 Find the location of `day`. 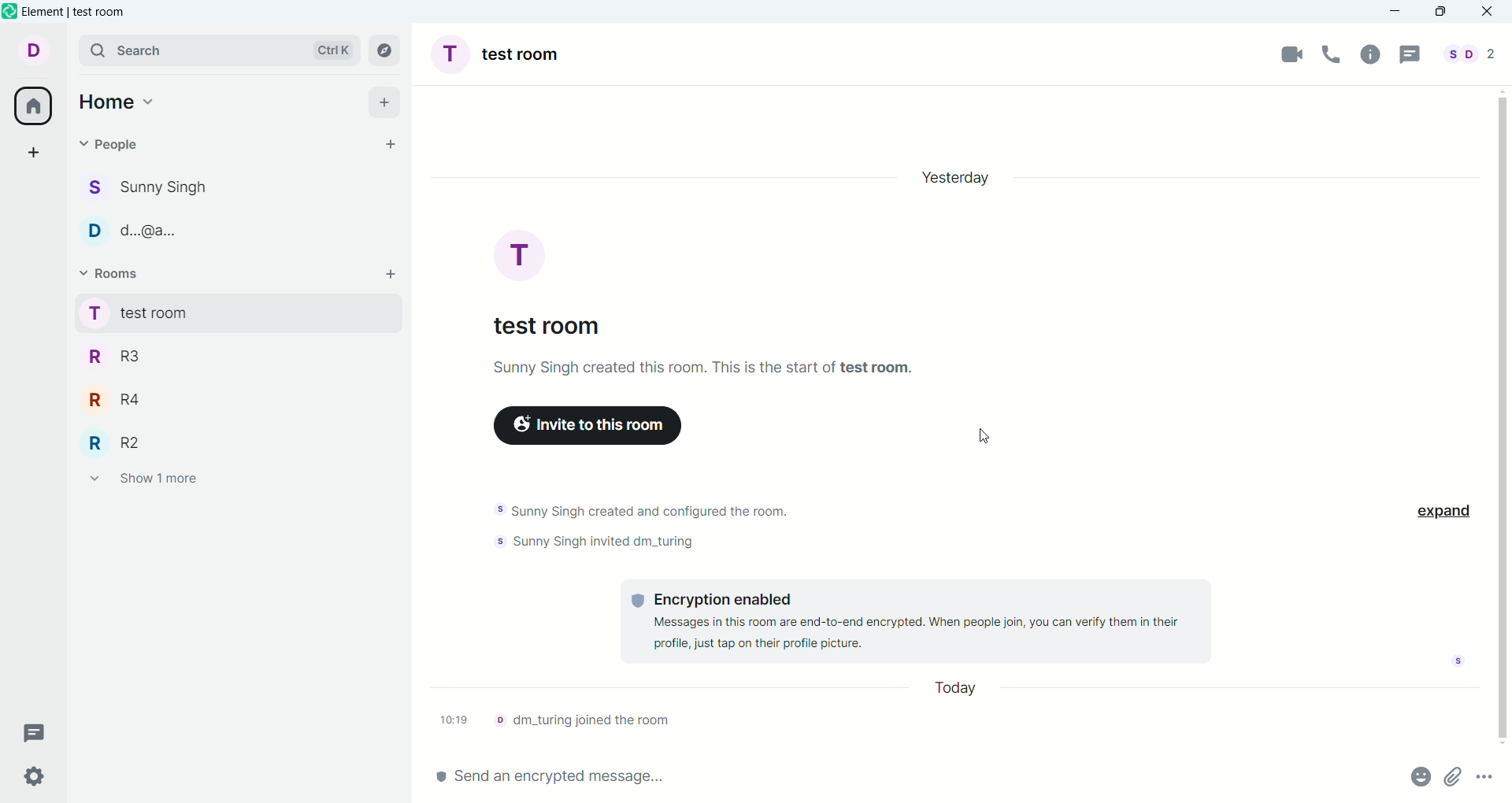

day is located at coordinates (968, 690).